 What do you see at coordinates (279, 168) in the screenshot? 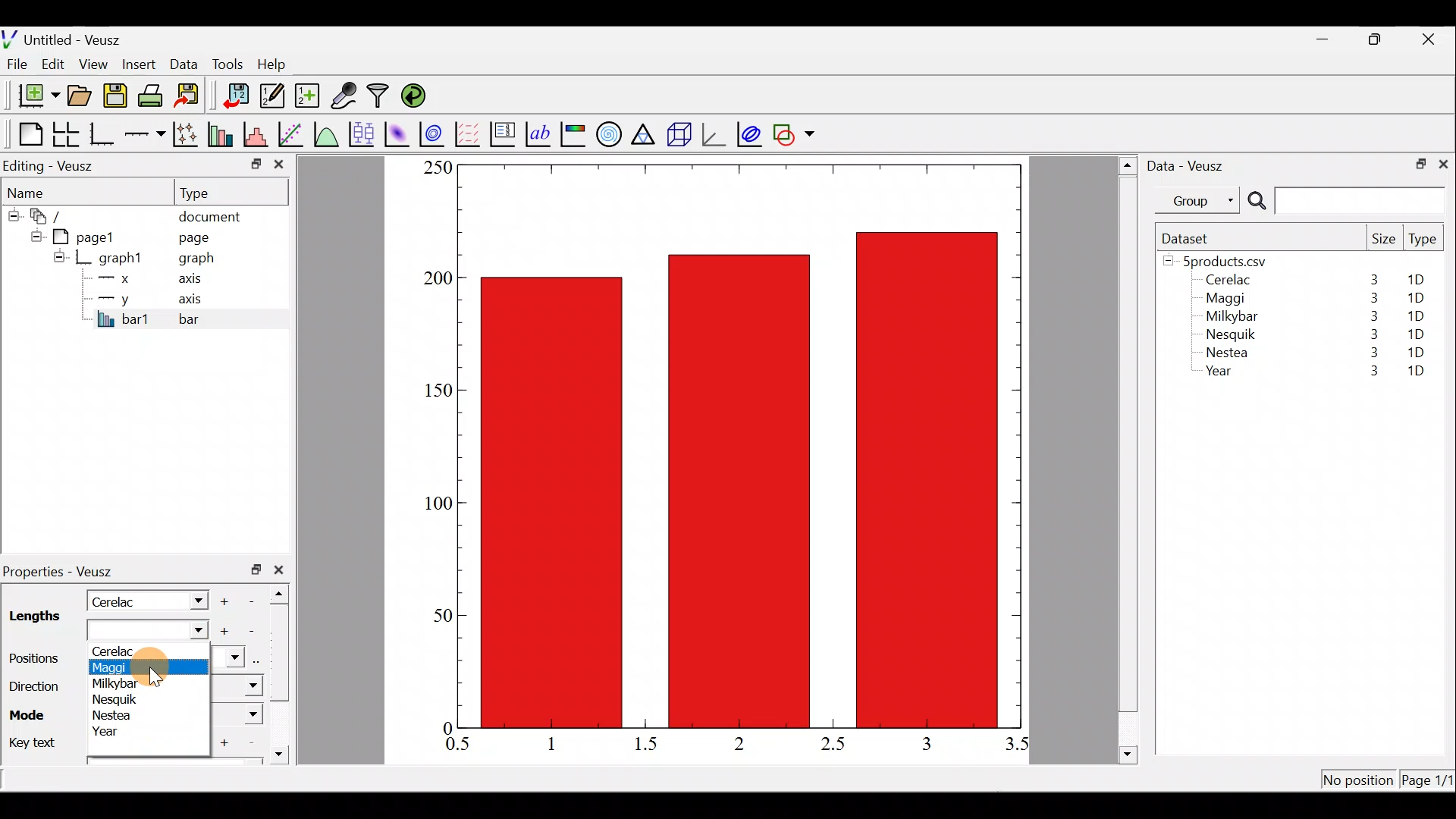
I see `close` at bounding box center [279, 168].